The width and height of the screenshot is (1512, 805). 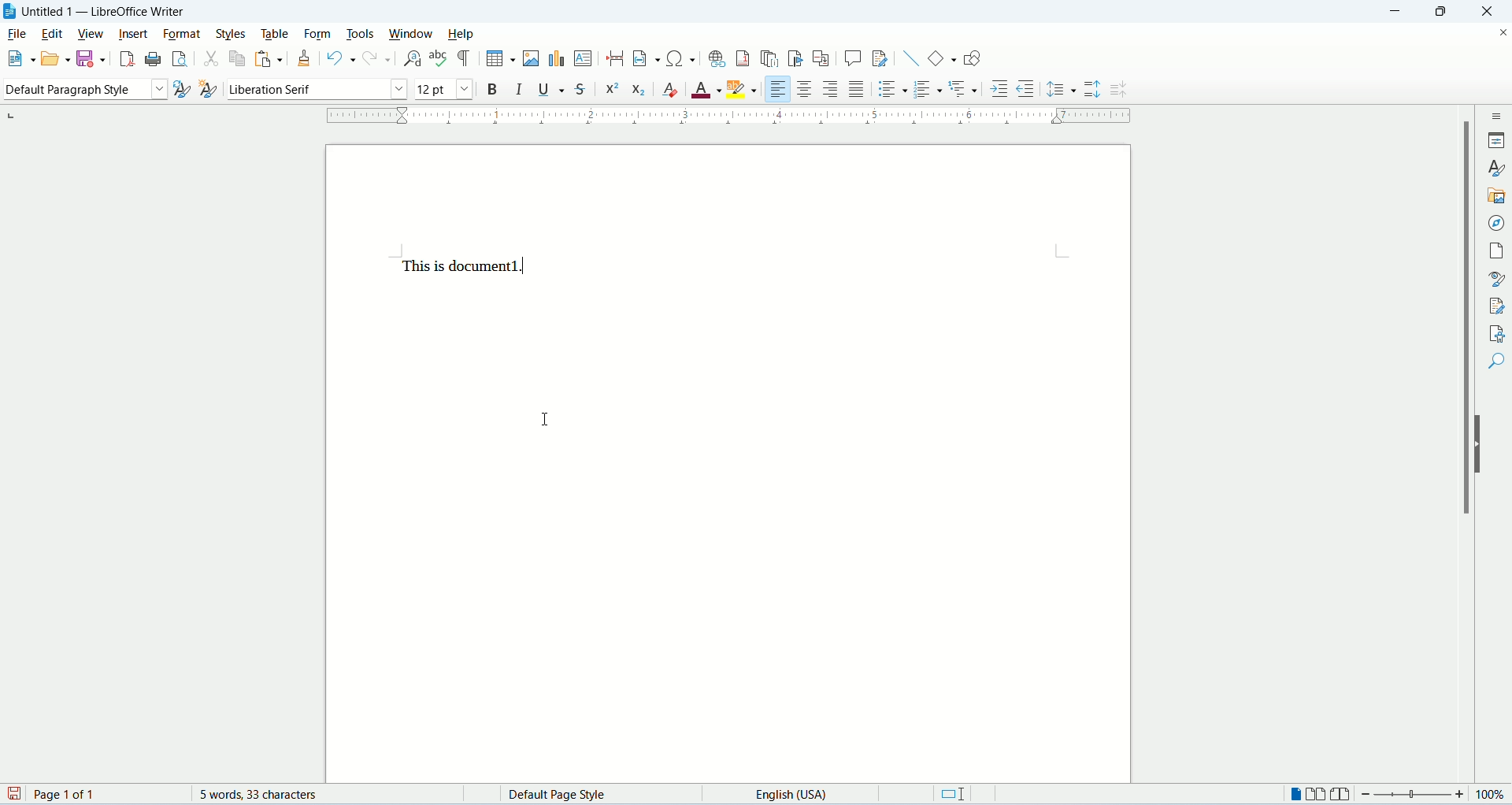 What do you see at coordinates (853, 58) in the screenshot?
I see `insert comment` at bounding box center [853, 58].